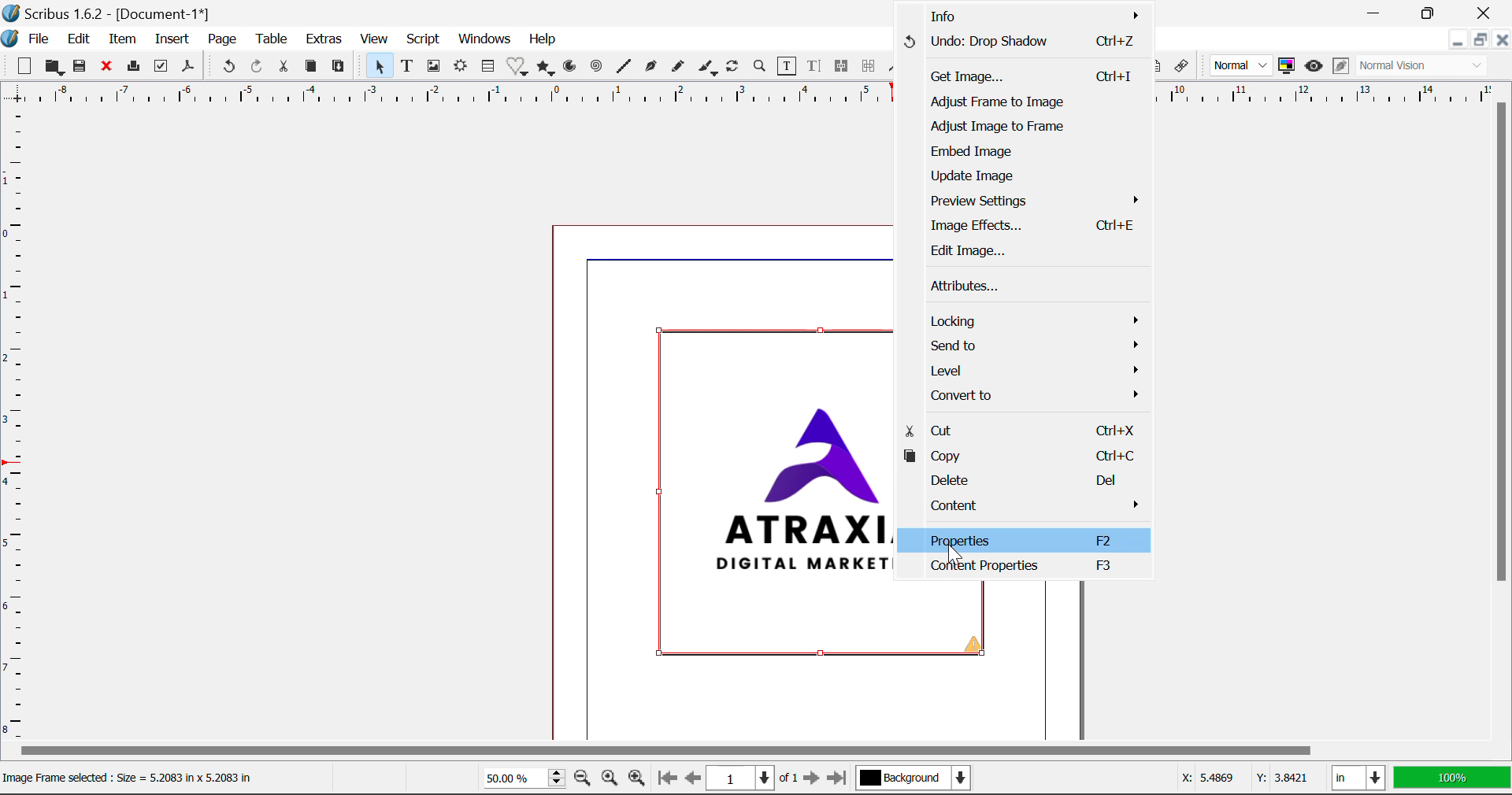 The width and height of the screenshot is (1512, 795). Describe the element at coordinates (79, 41) in the screenshot. I see `Edit` at that location.